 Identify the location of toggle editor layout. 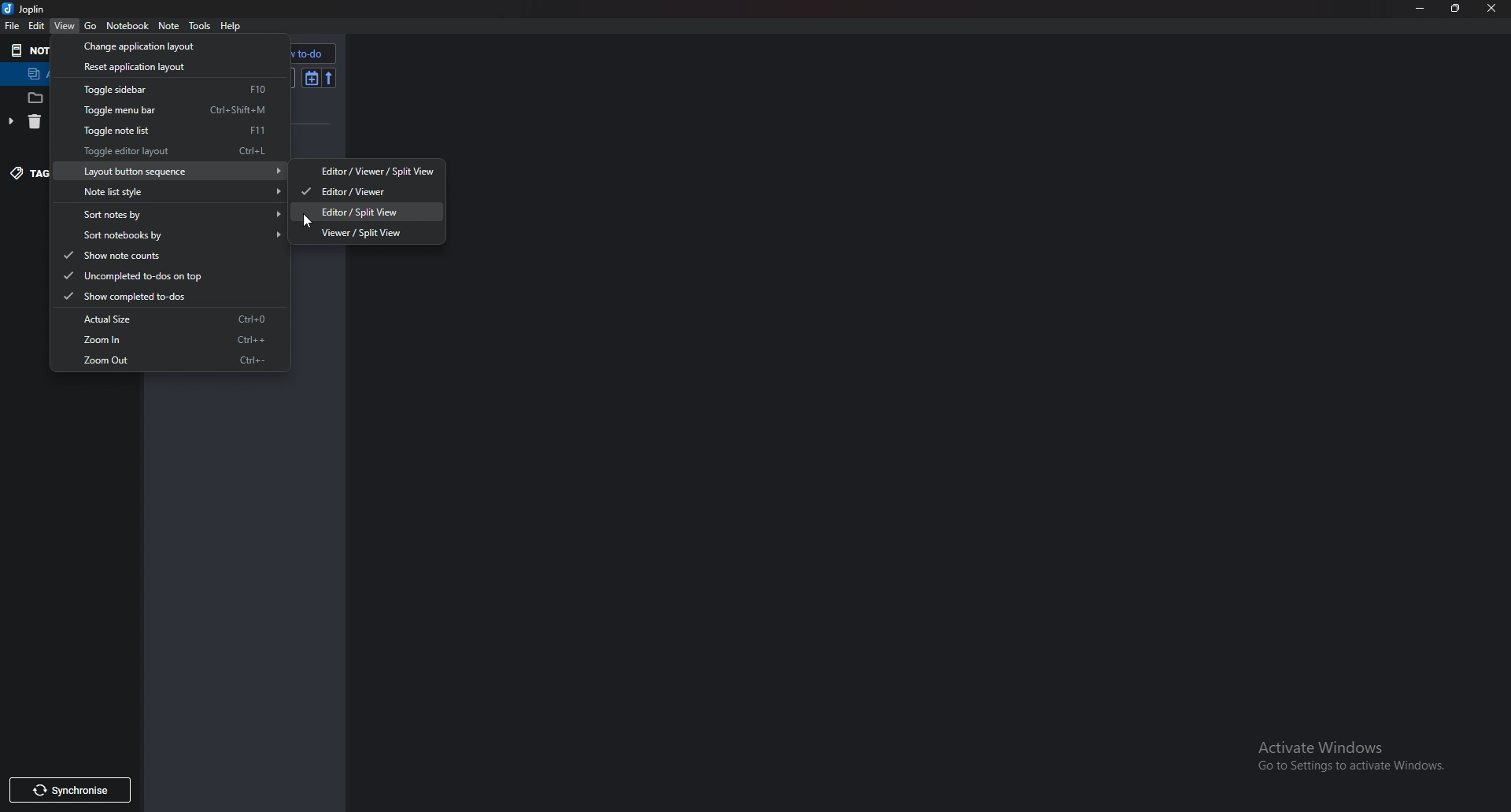
(175, 150).